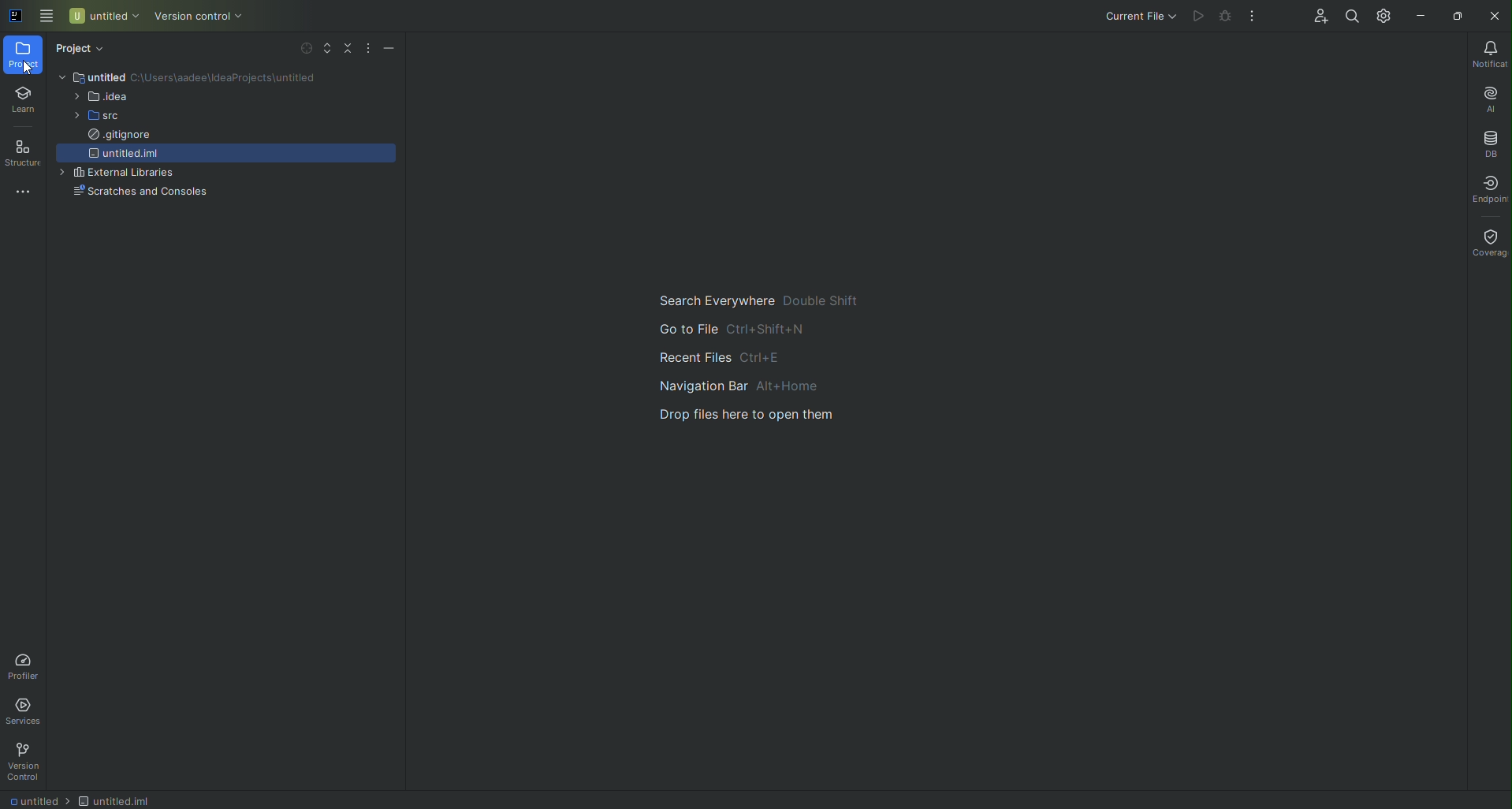  What do you see at coordinates (29, 763) in the screenshot?
I see `Version Control` at bounding box center [29, 763].